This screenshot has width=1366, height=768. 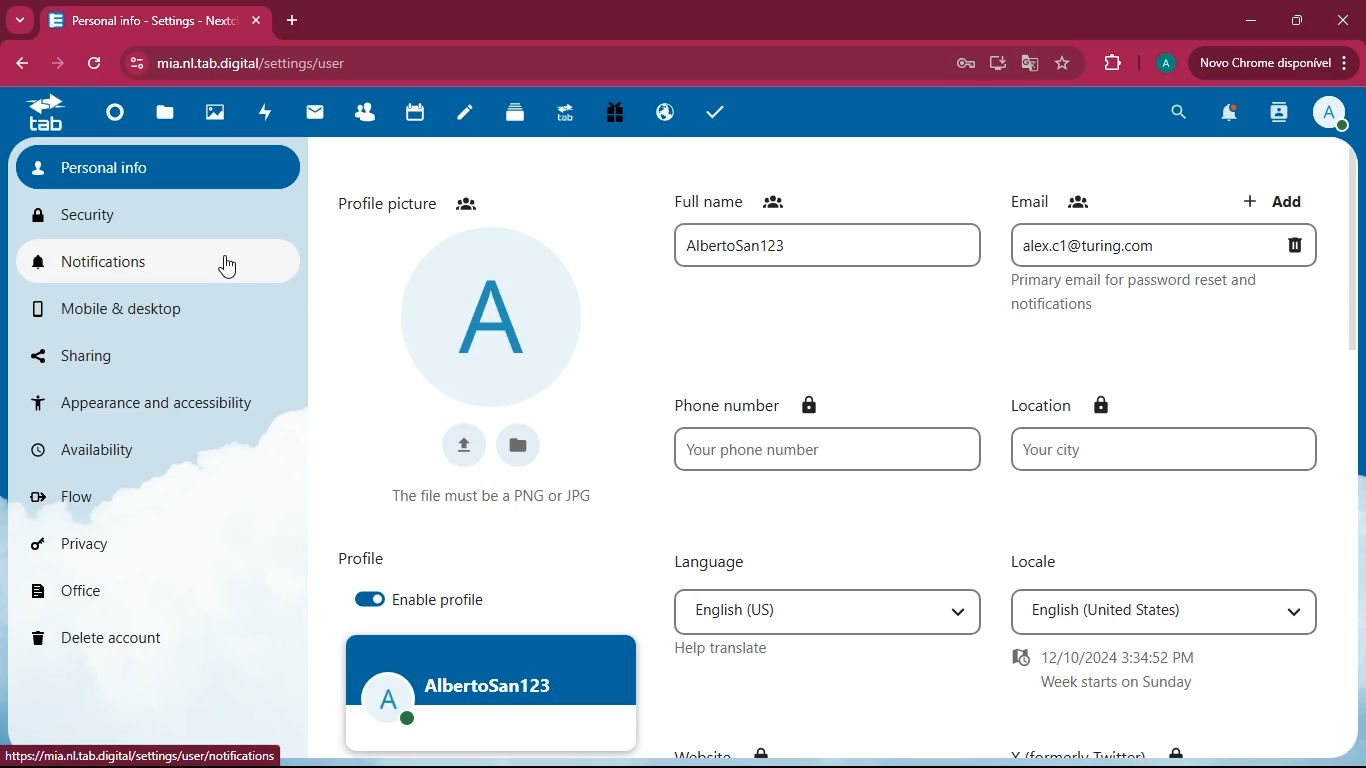 I want to click on profile, so click(x=357, y=560).